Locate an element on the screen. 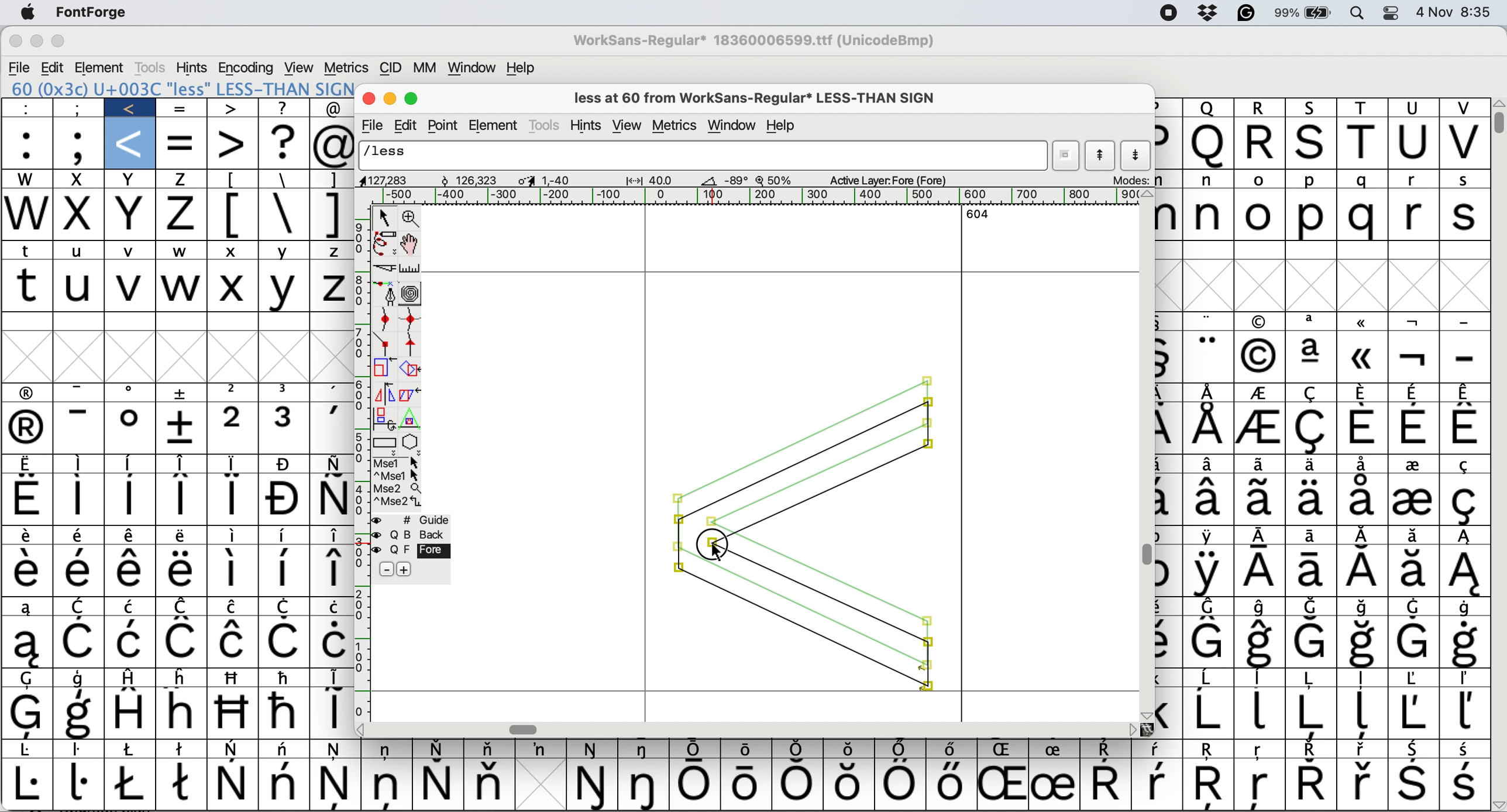  3 is located at coordinates (287, 426).